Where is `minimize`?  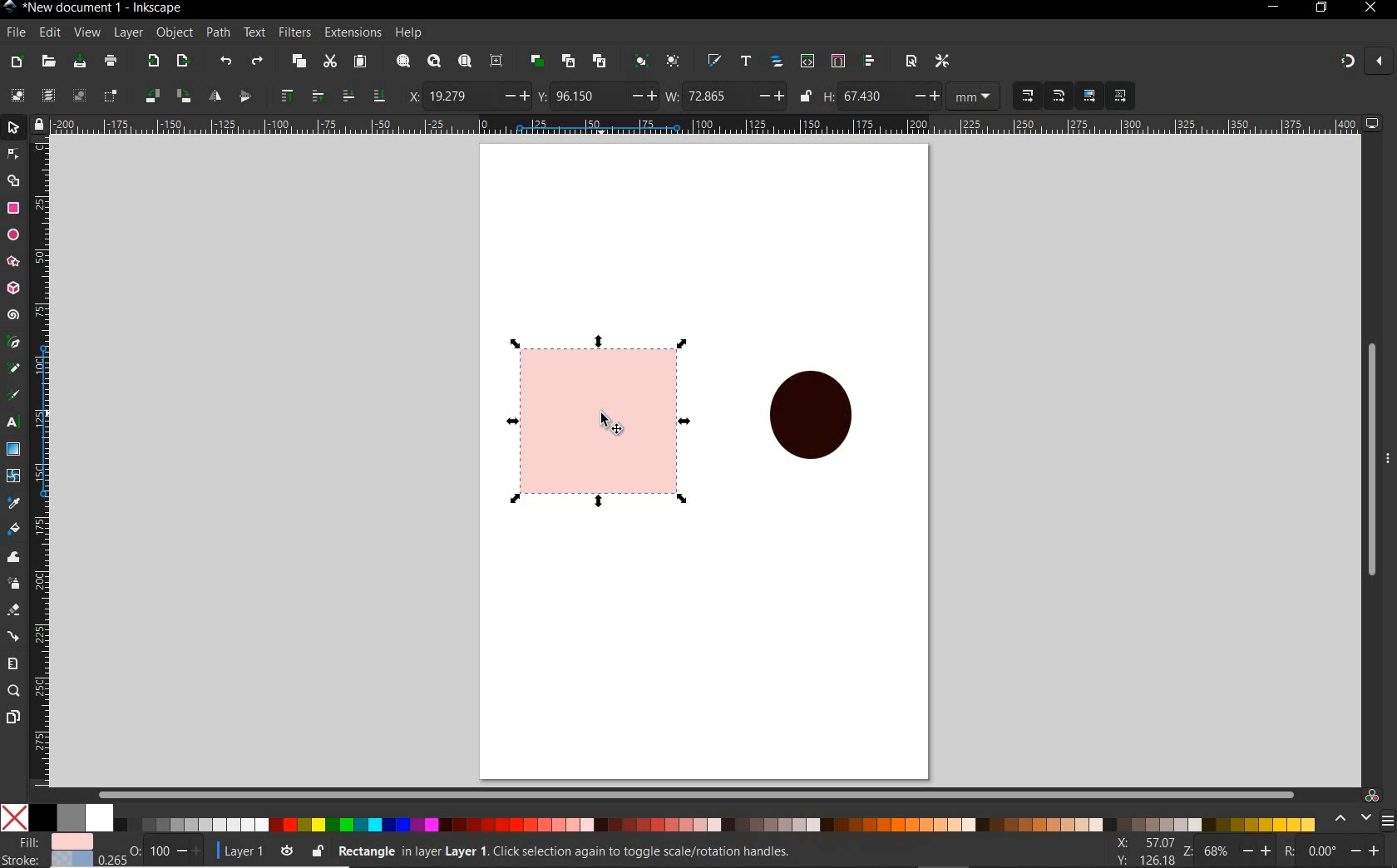
minimize is located at coordinates (1275, 6).